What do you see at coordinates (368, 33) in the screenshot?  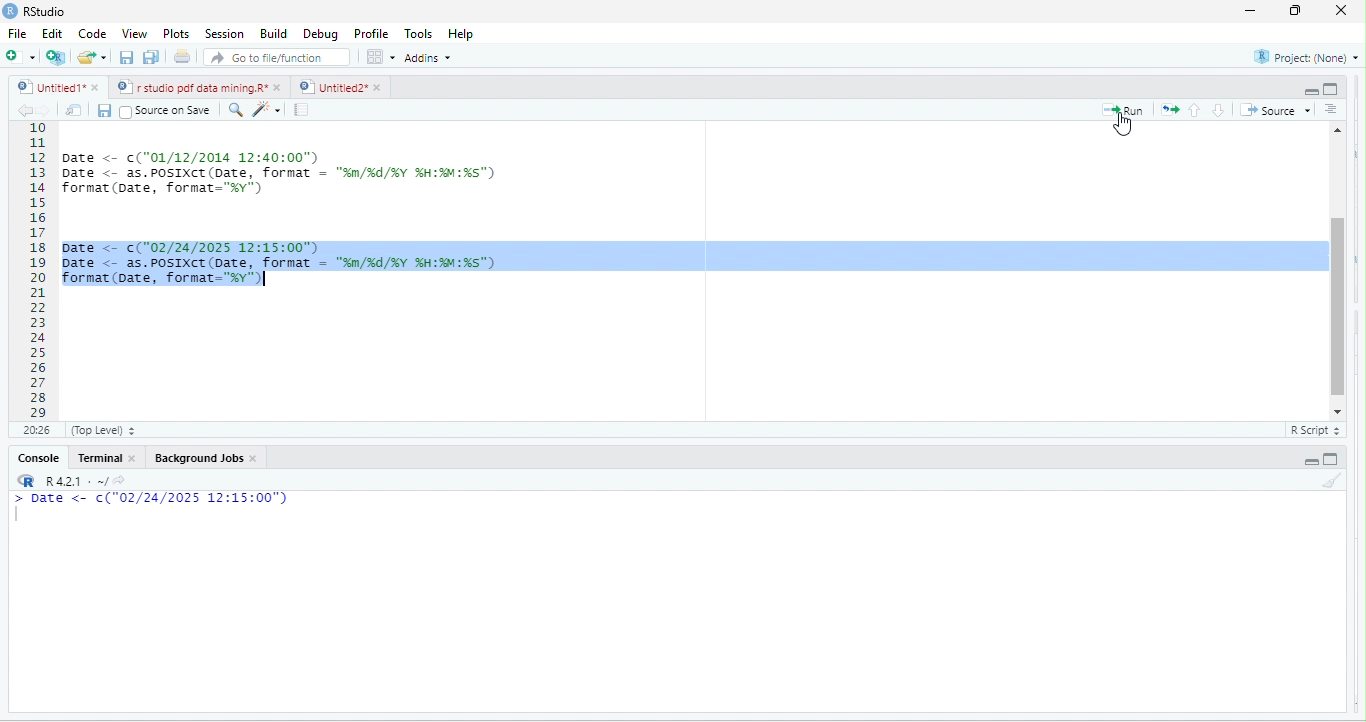 I see `Profile` at bounding box center [368, 33].